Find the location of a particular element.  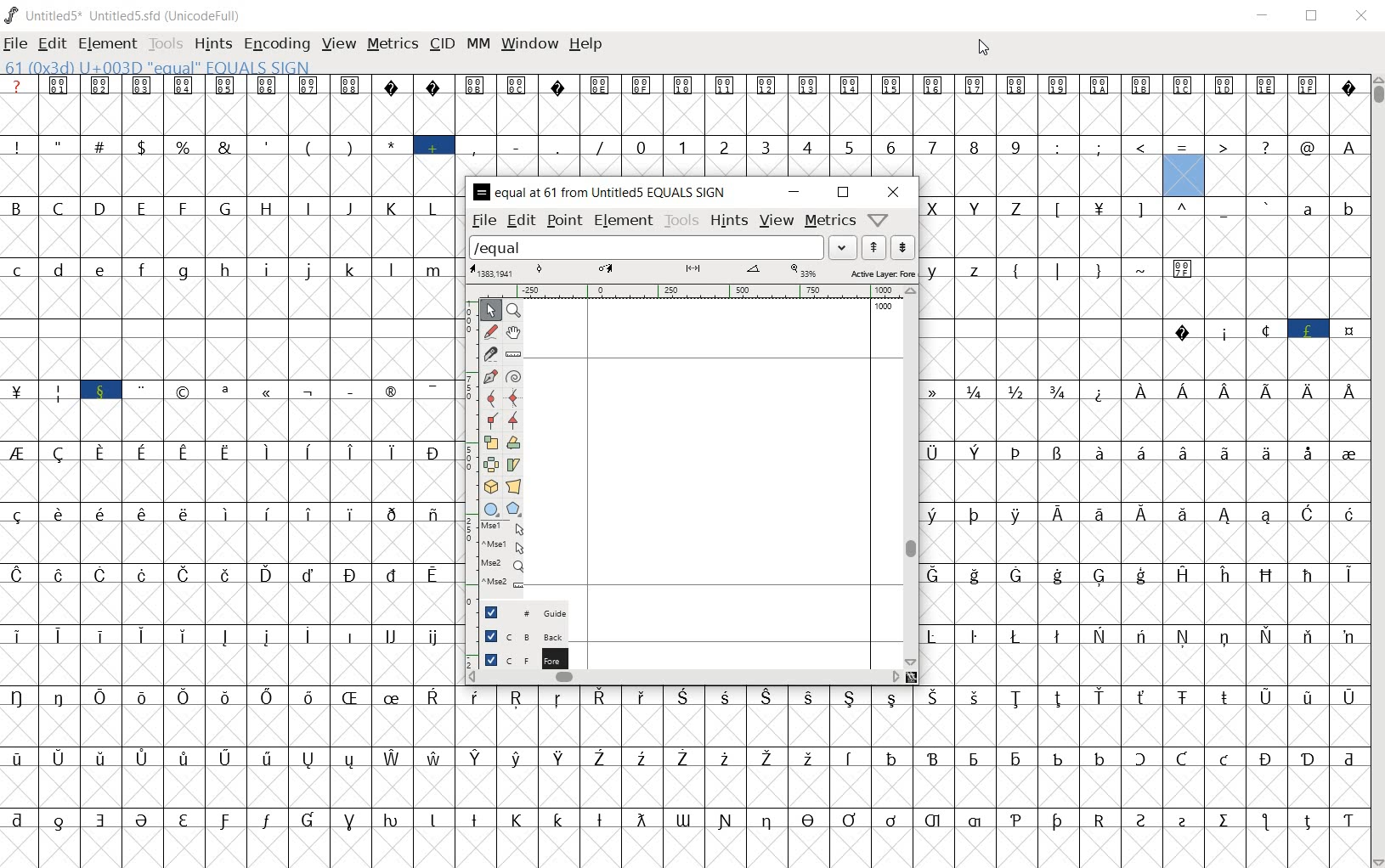

minimize is located at coordinates (794, 194).